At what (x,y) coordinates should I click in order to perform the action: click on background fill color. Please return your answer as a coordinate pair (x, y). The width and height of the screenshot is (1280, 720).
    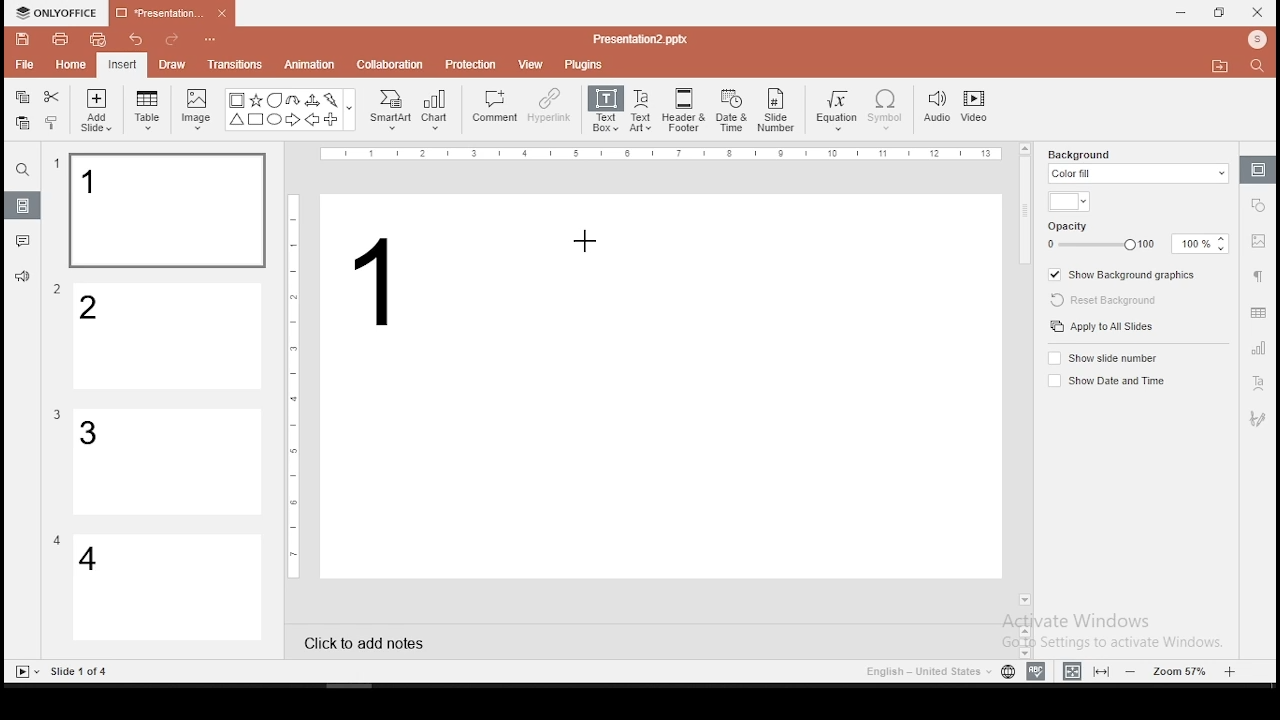
    Looking at the image, I should click on (1070, 203).